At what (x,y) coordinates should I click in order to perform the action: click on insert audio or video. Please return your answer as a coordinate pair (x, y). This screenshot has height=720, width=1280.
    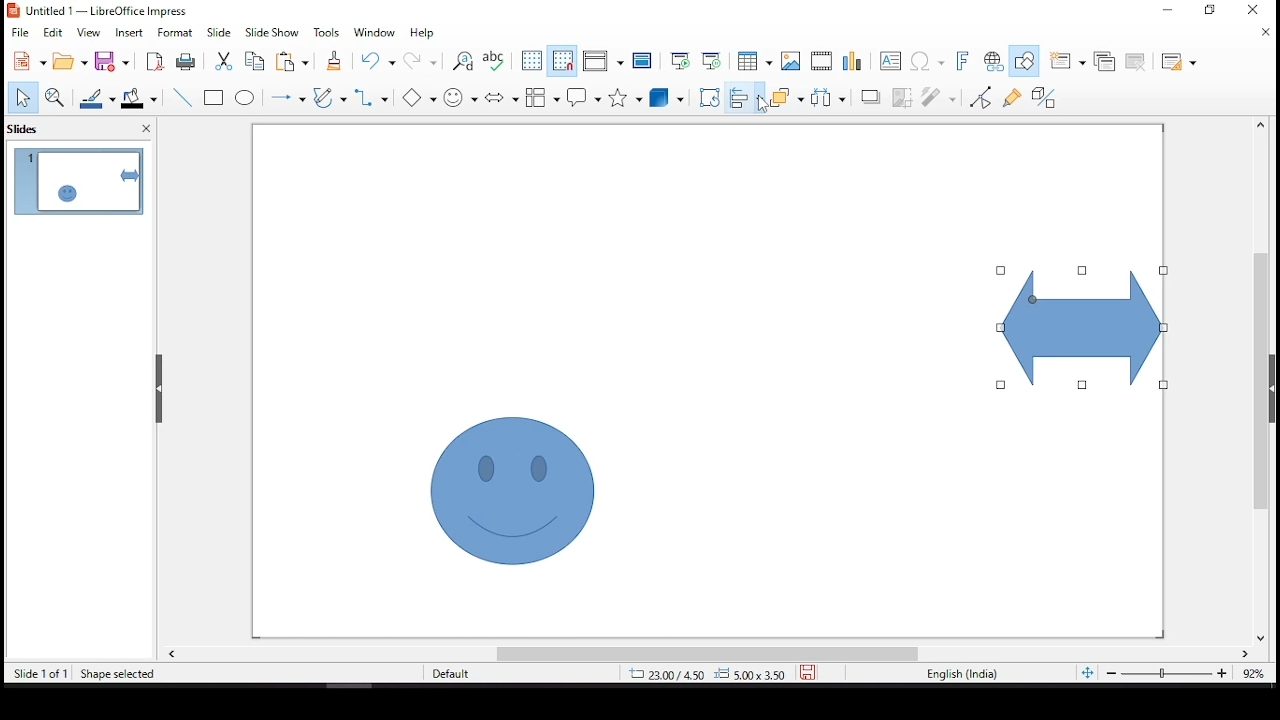
    Looking at the image, I should click on (823, 61).